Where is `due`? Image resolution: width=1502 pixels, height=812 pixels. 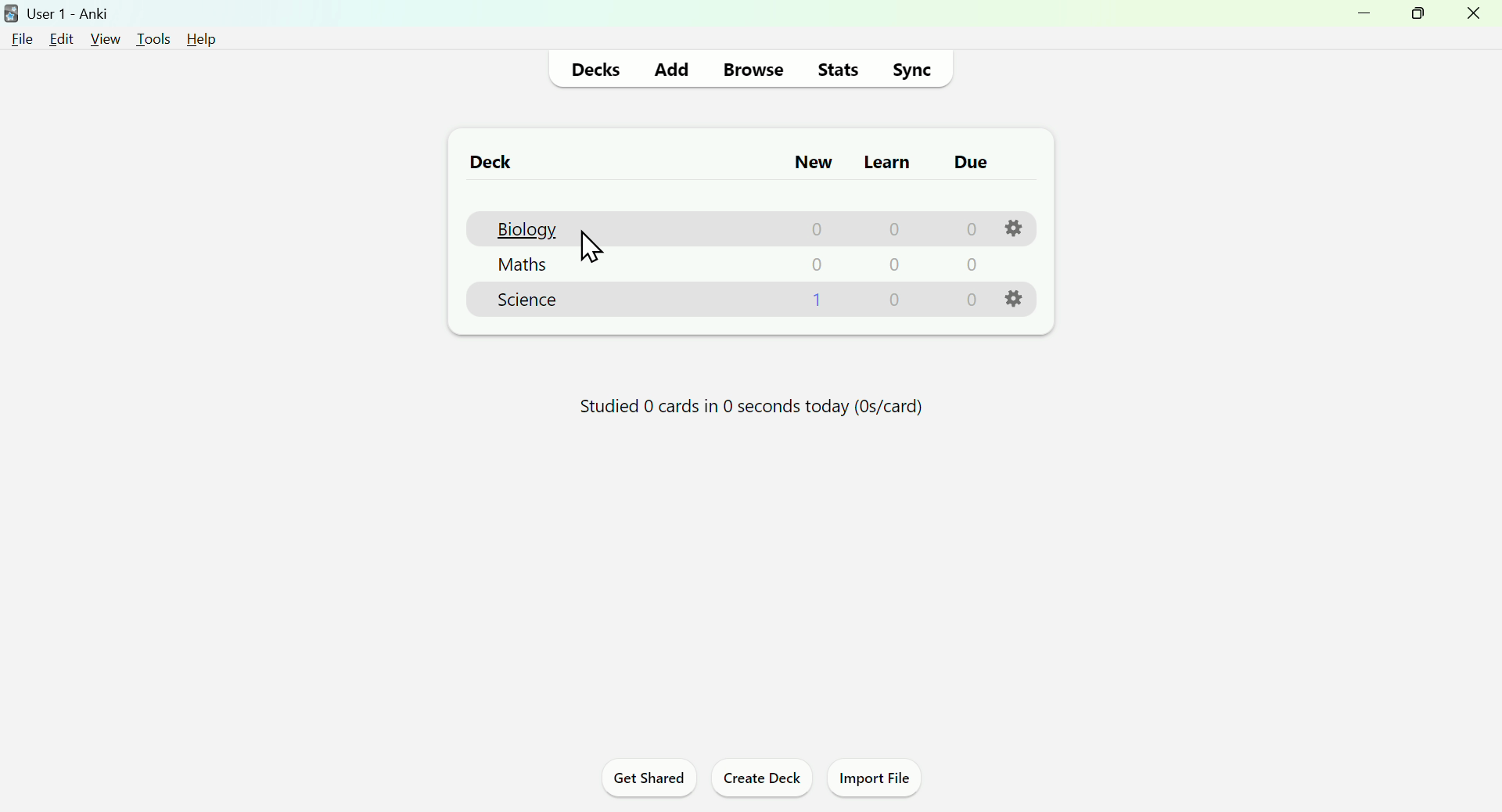 due is located at coordinates (972, 163).